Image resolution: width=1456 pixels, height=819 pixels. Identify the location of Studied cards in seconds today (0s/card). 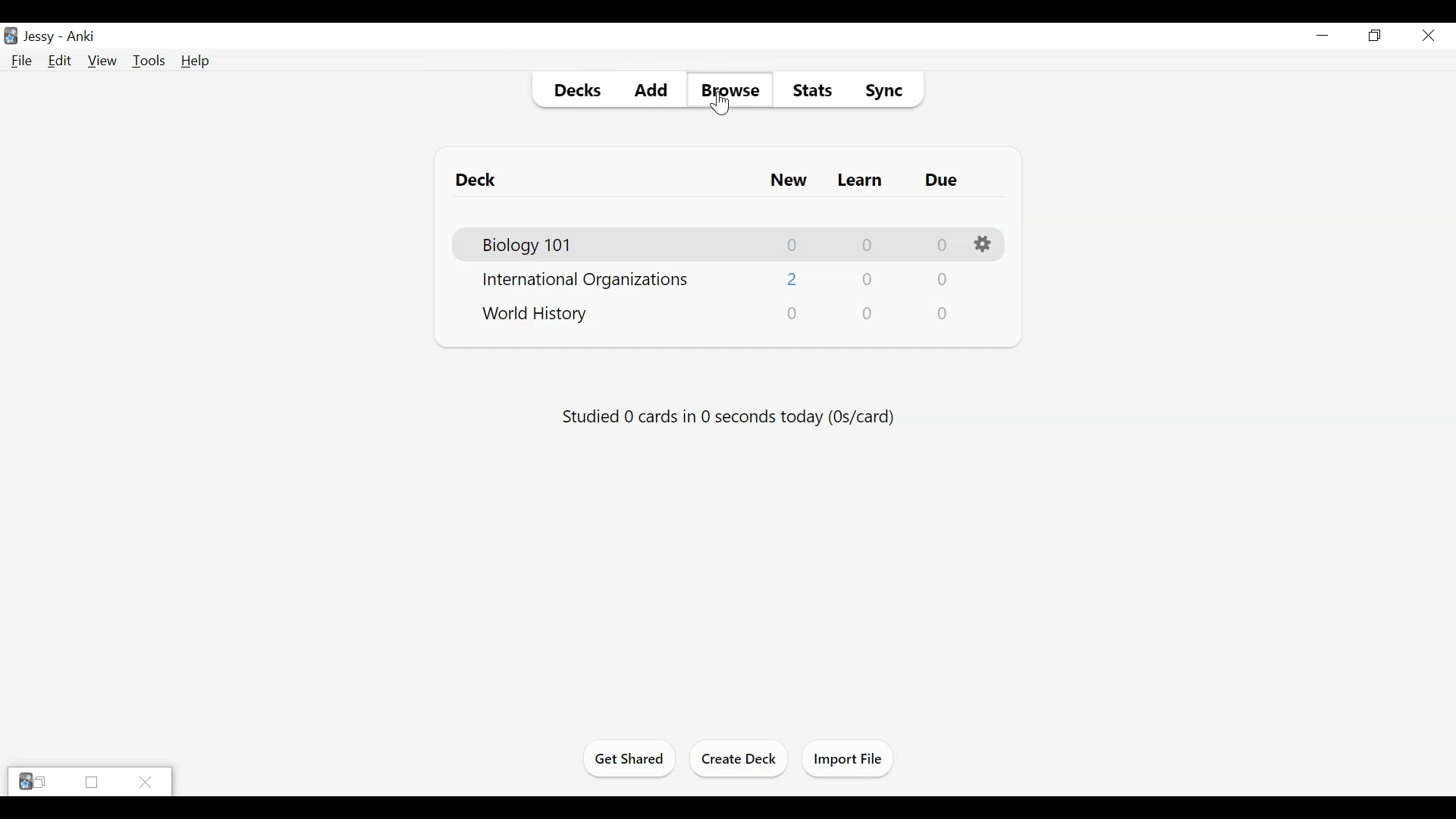
(729, 417).